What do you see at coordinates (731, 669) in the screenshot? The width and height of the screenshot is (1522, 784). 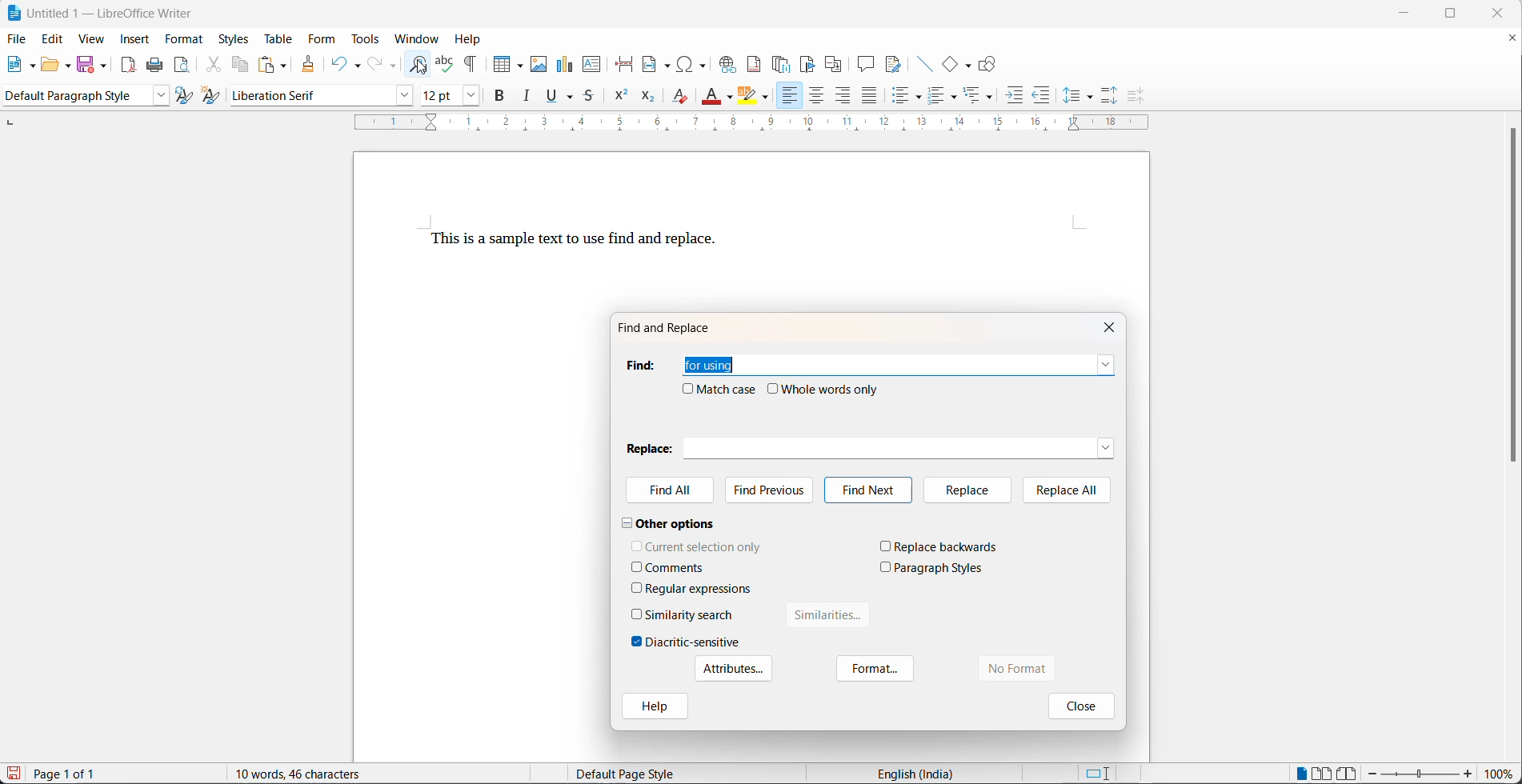 I see `Attributes` at bounding box center [731, 669].